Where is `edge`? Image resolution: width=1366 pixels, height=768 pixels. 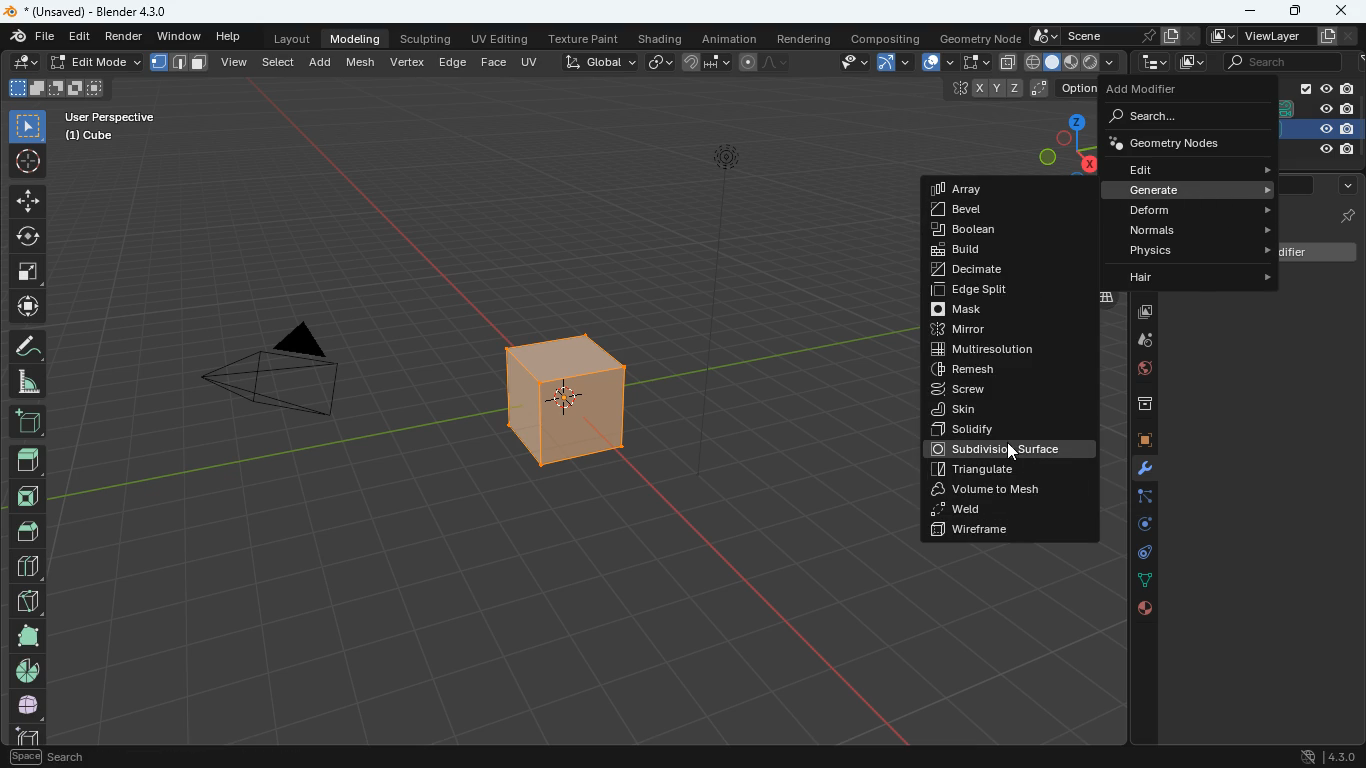
edge is located at coordinates (453, 61).